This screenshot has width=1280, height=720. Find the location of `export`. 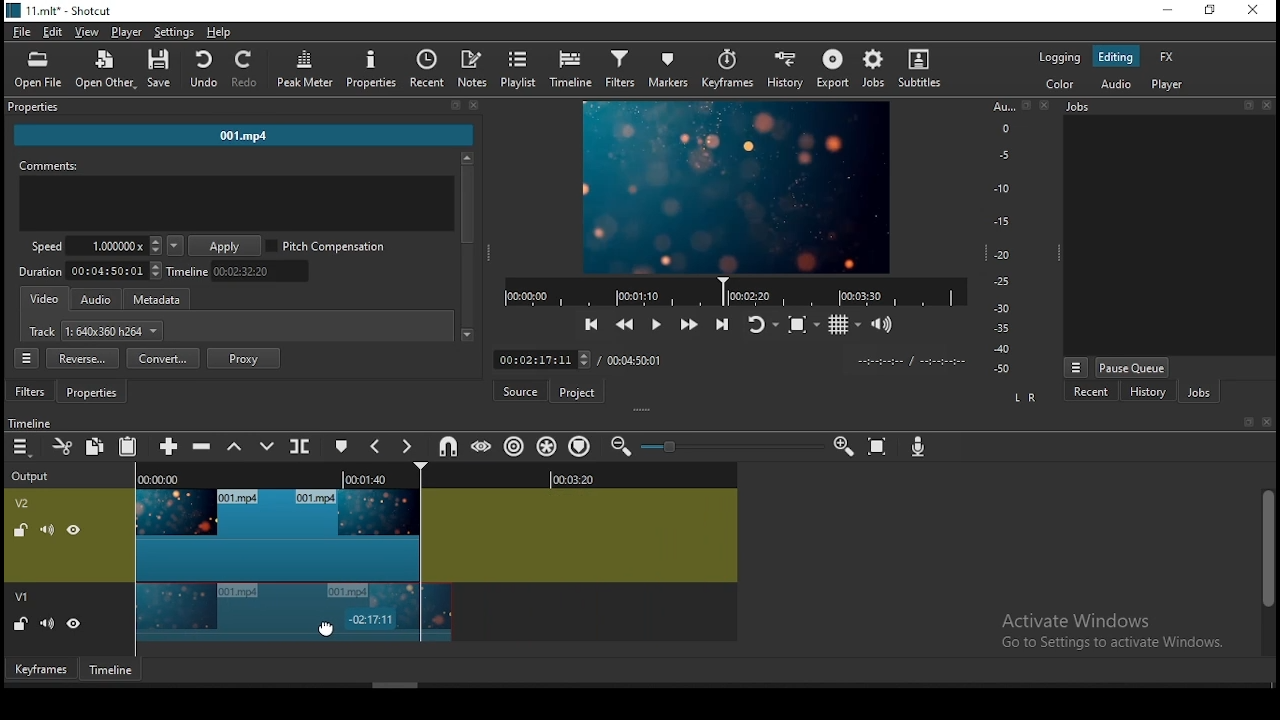

export is located at coordinates (833, 69).